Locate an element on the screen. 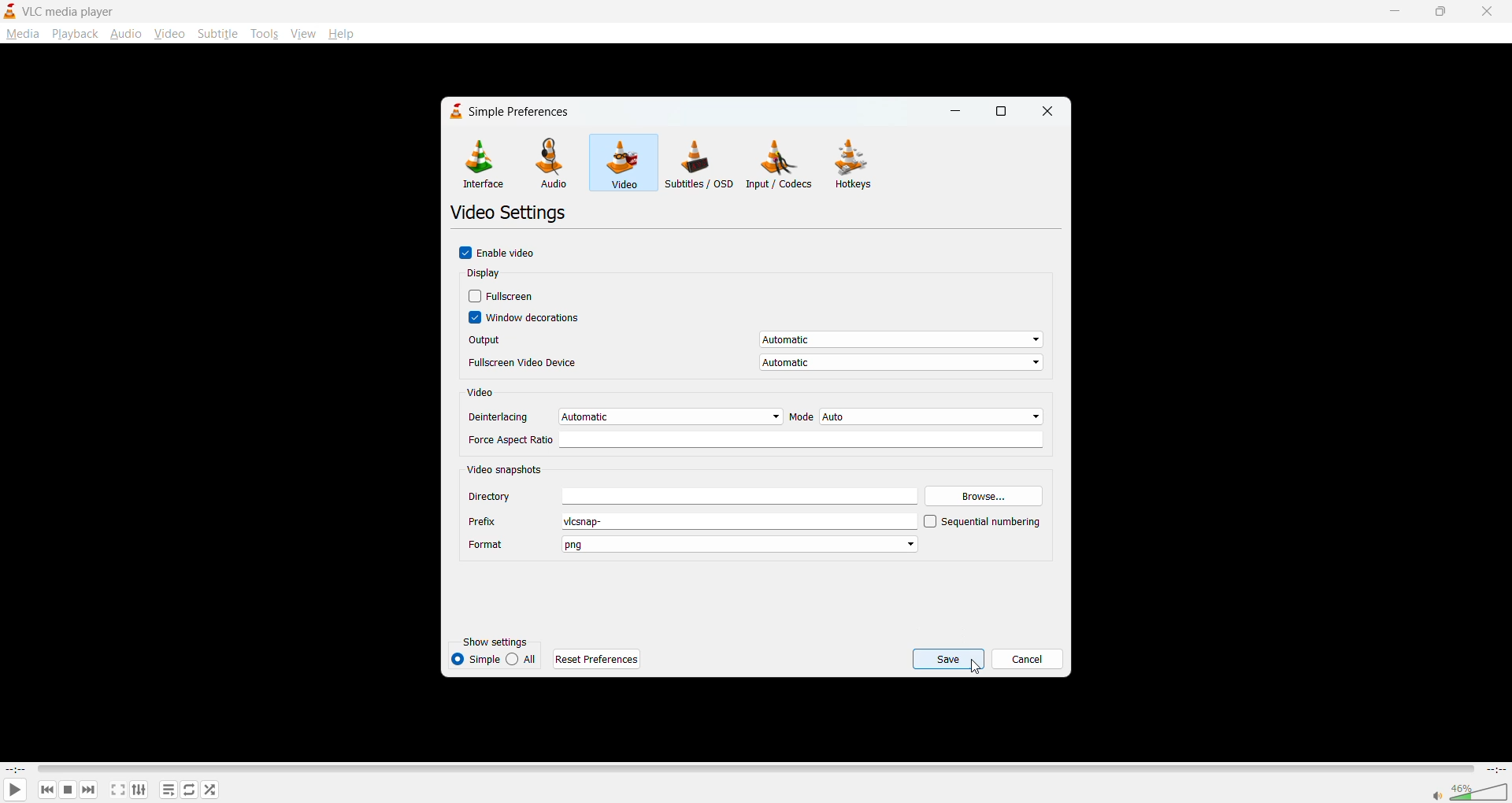 Image resolution: width=1512 pixels, height=803 pixels. subtitles/osd is located at coordinates (699, 162).